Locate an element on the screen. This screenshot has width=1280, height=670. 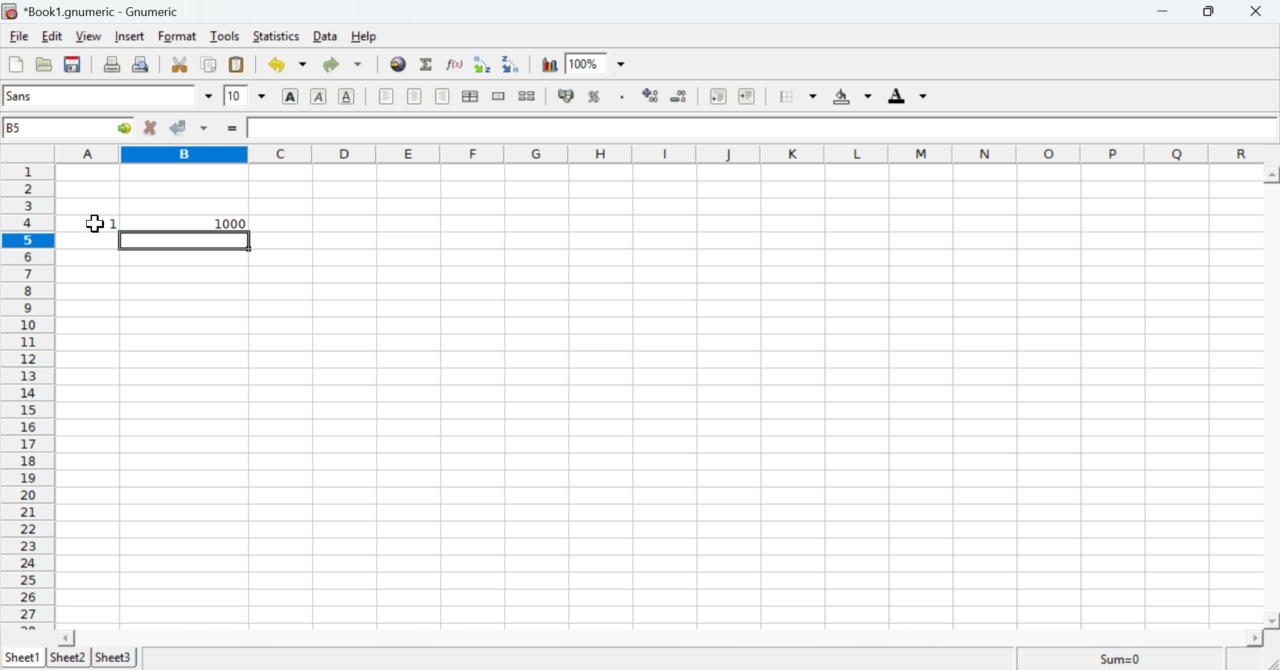
scroll left is located at coordinates (64, 638).